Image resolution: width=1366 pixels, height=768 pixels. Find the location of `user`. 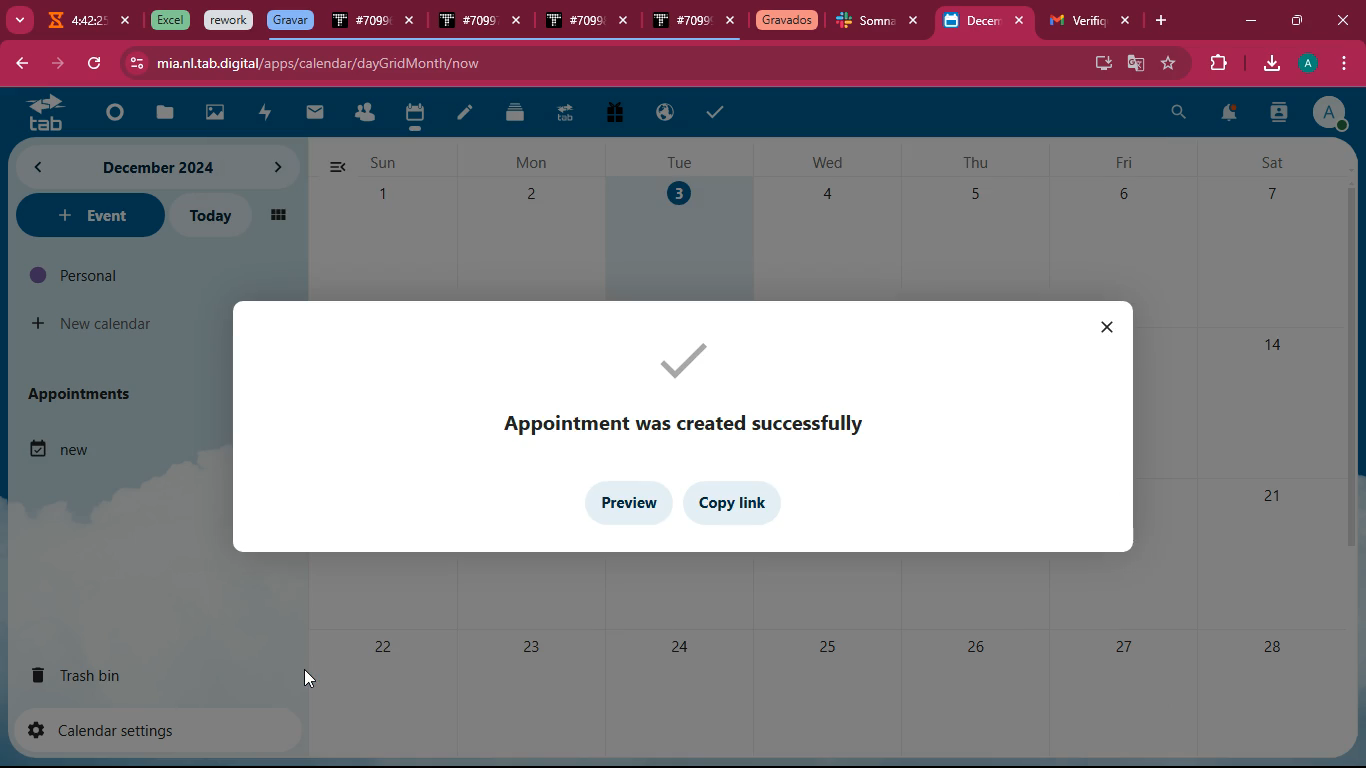

user is located at coordinates (1278, 115).